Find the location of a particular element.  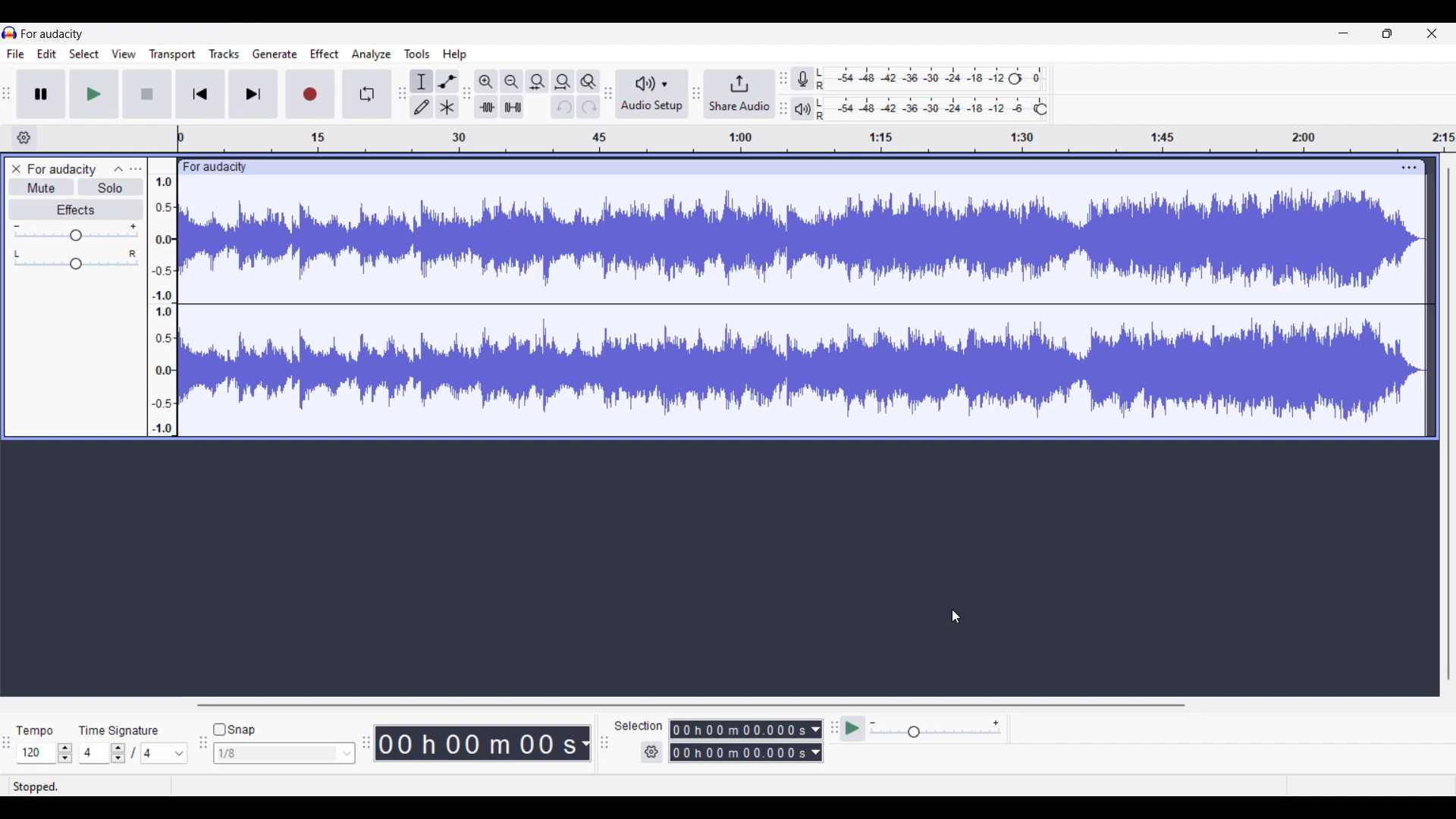

Playback meter is located at coordinates (802, 108).